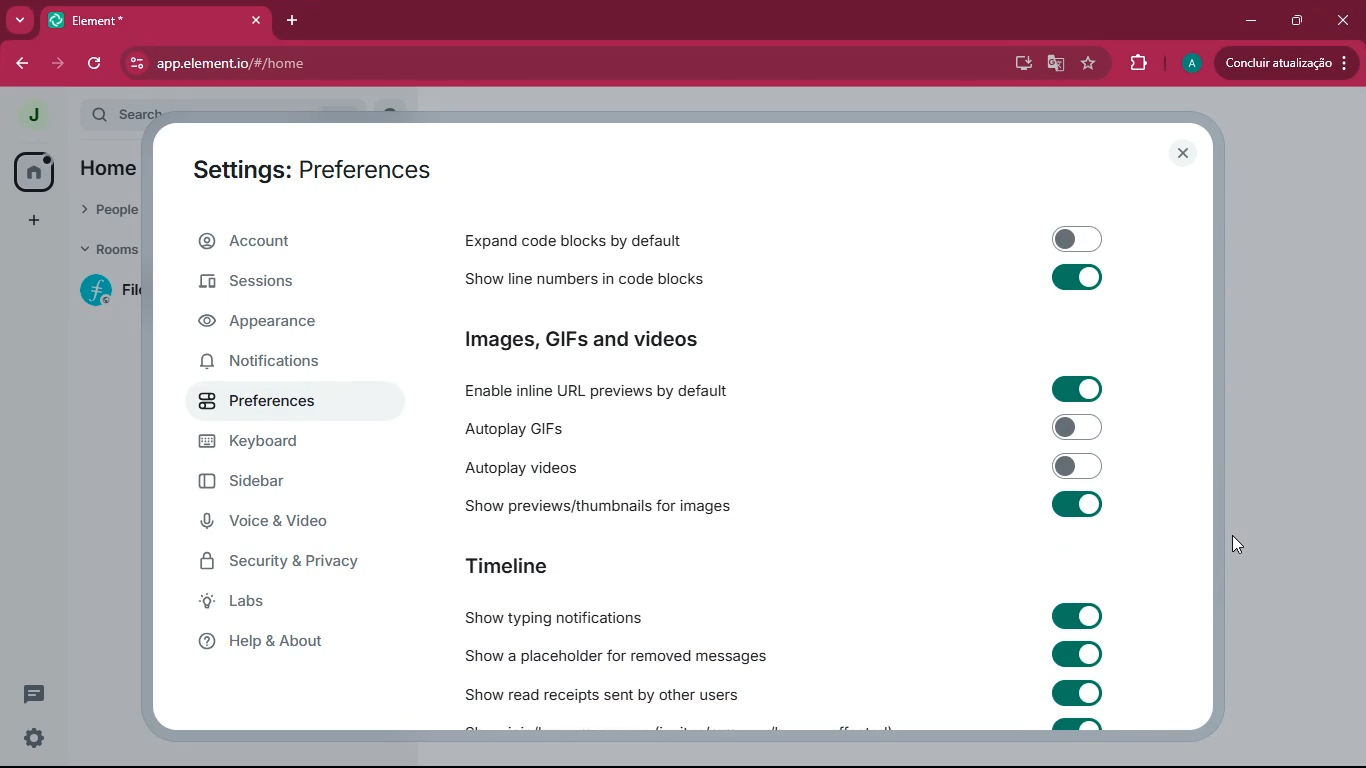 Image resolution: width=1366 pixels, height=768 pixels. Describe the element at coordinates (507, 563) in the screenshot. I see `timeline` at that location.